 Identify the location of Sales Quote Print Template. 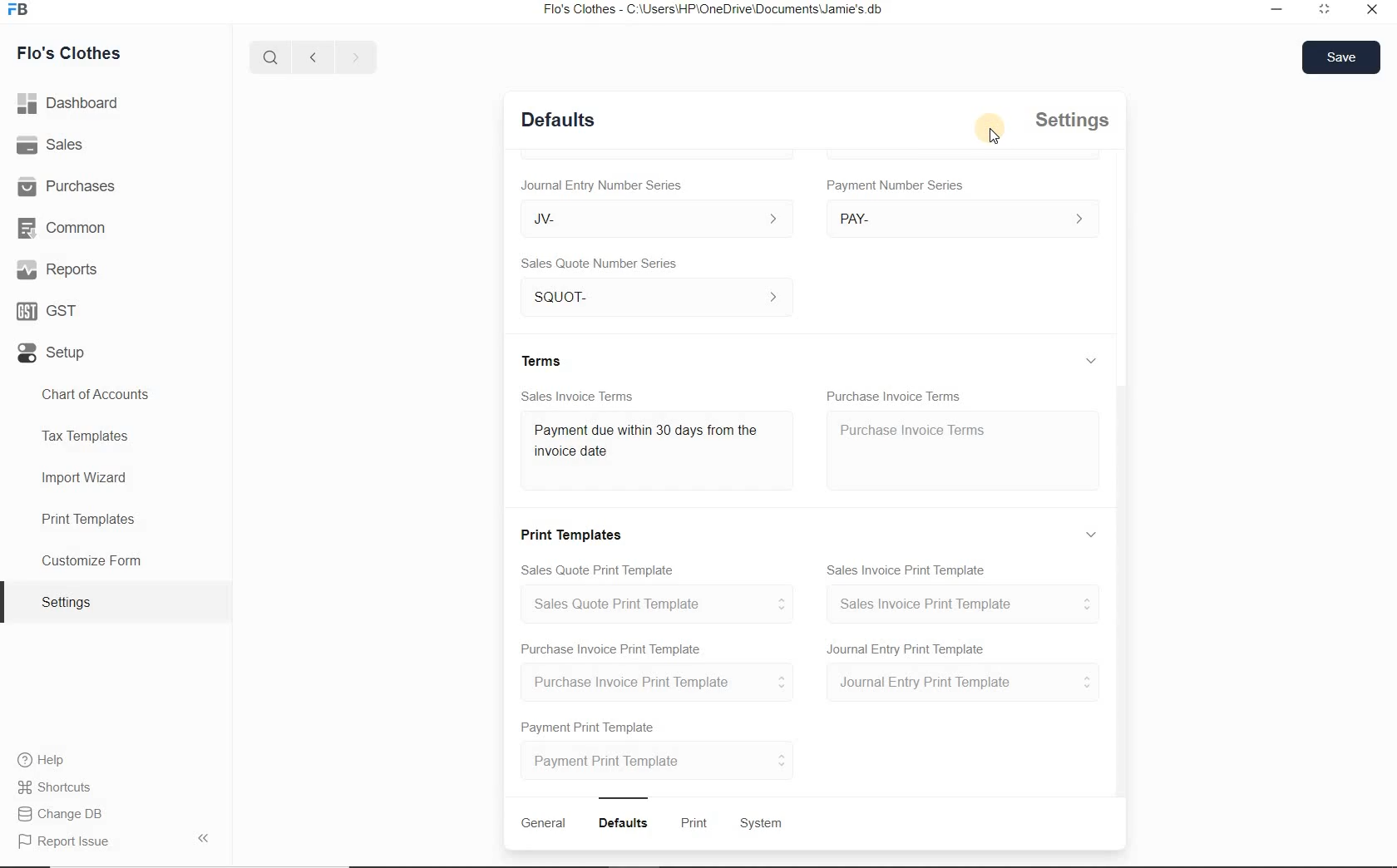
(595, 570).